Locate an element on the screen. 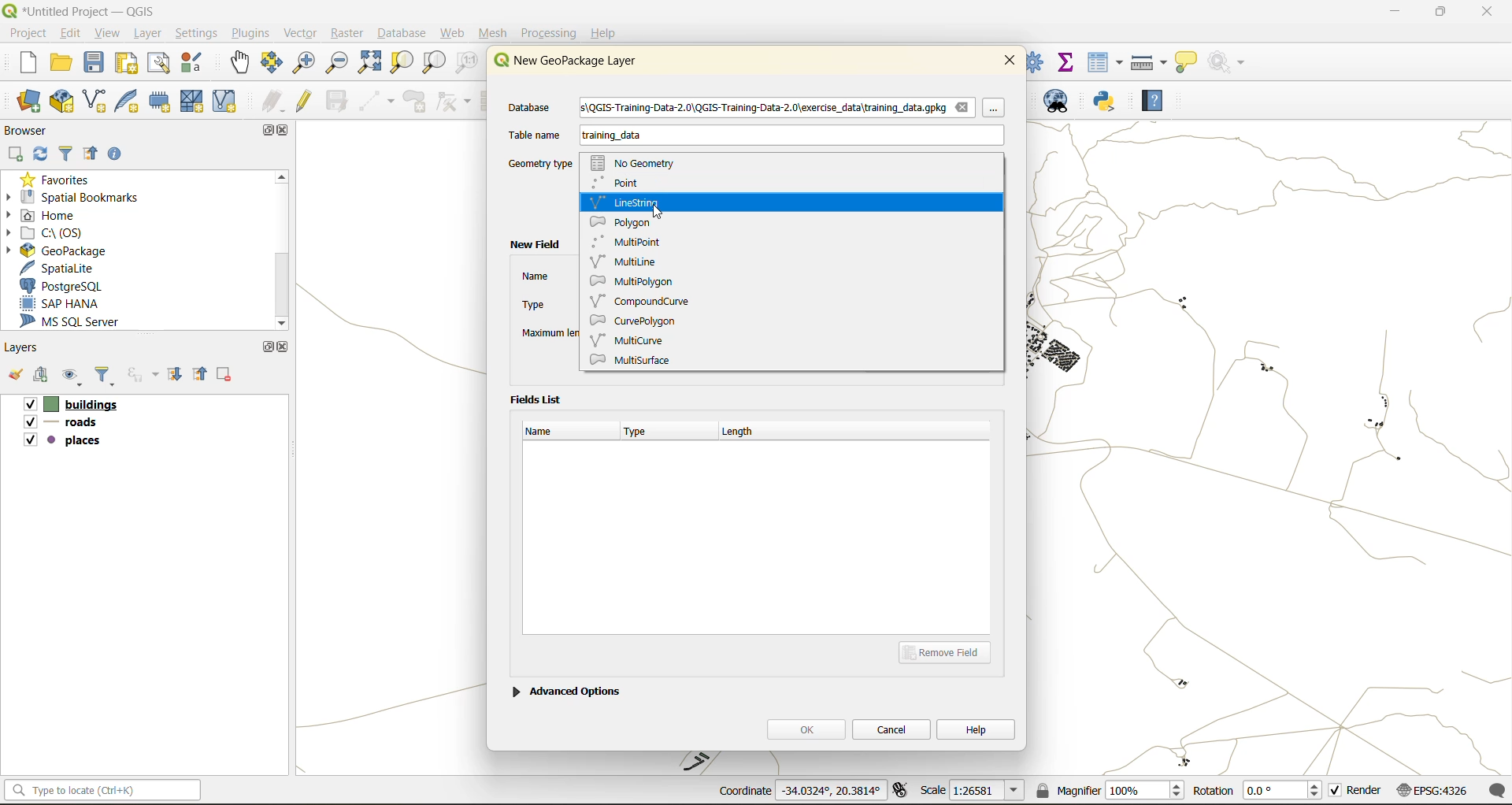 The width and height of the screenshot is (1512, 805). enable properties is located at coordinates (119, 153).